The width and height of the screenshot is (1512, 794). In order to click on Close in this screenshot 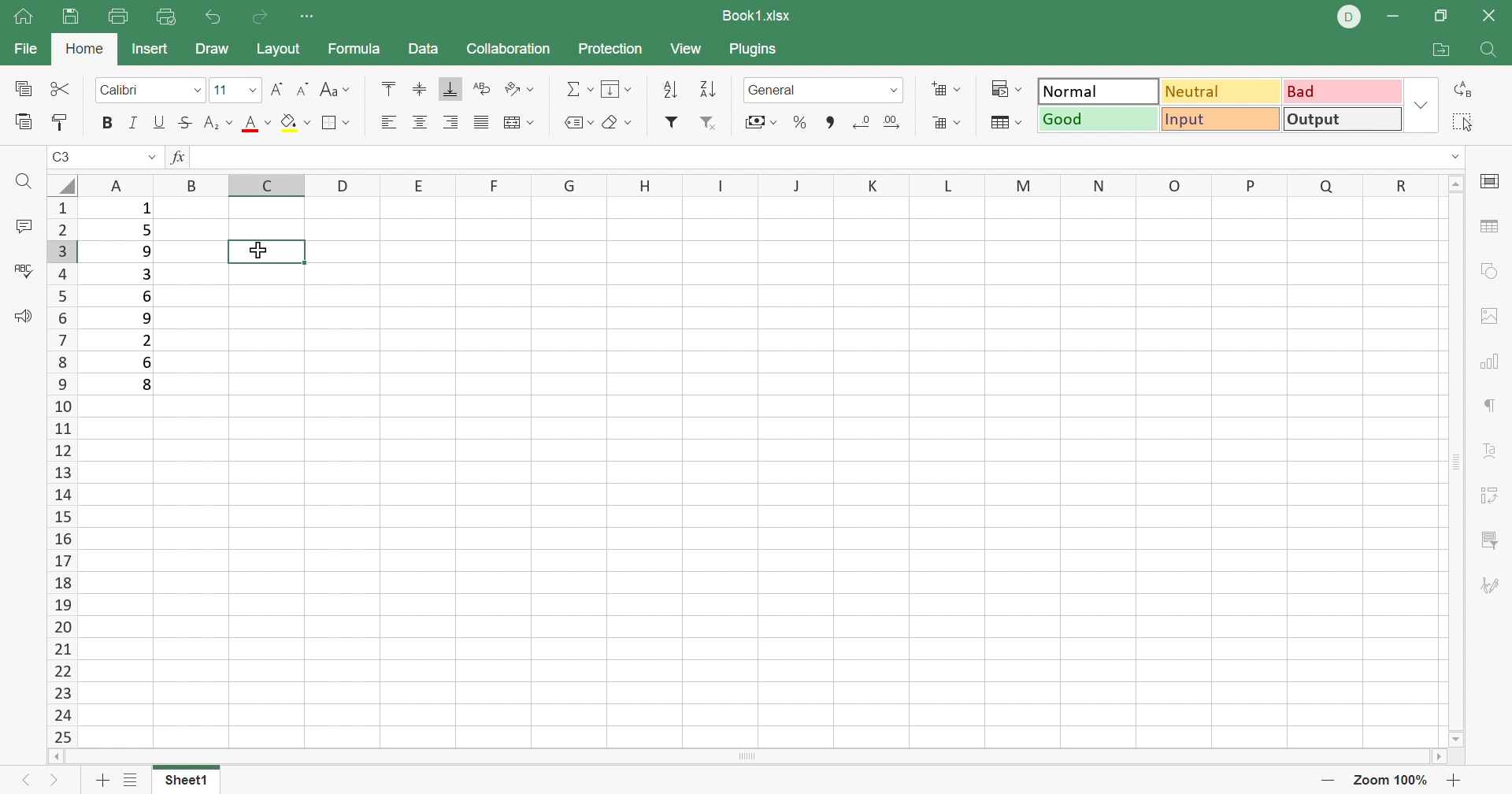, I will do `click(1492, 15)`.